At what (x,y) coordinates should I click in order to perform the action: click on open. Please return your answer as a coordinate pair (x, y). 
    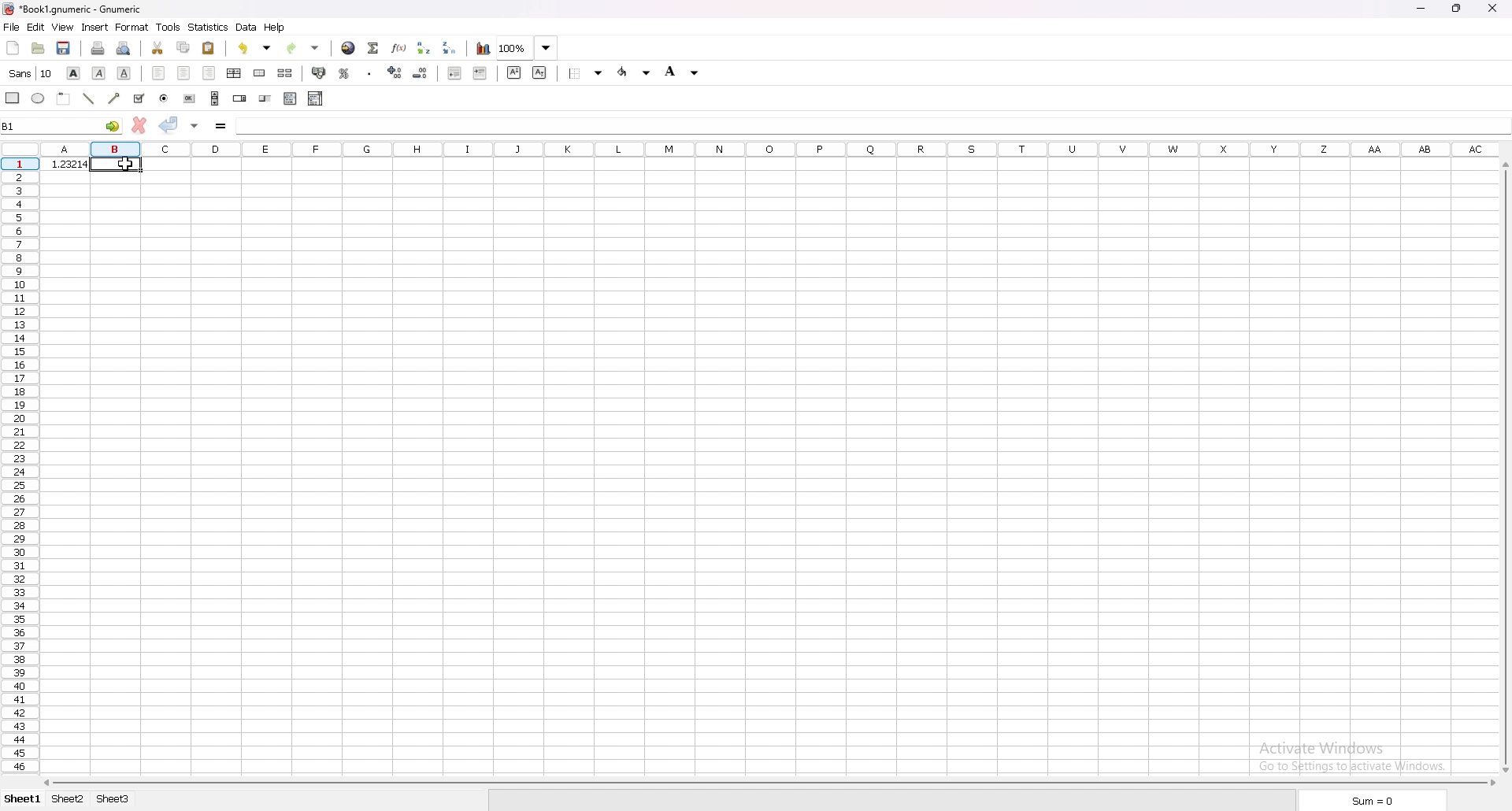
    Looking at the image, I should click on (39, 48).